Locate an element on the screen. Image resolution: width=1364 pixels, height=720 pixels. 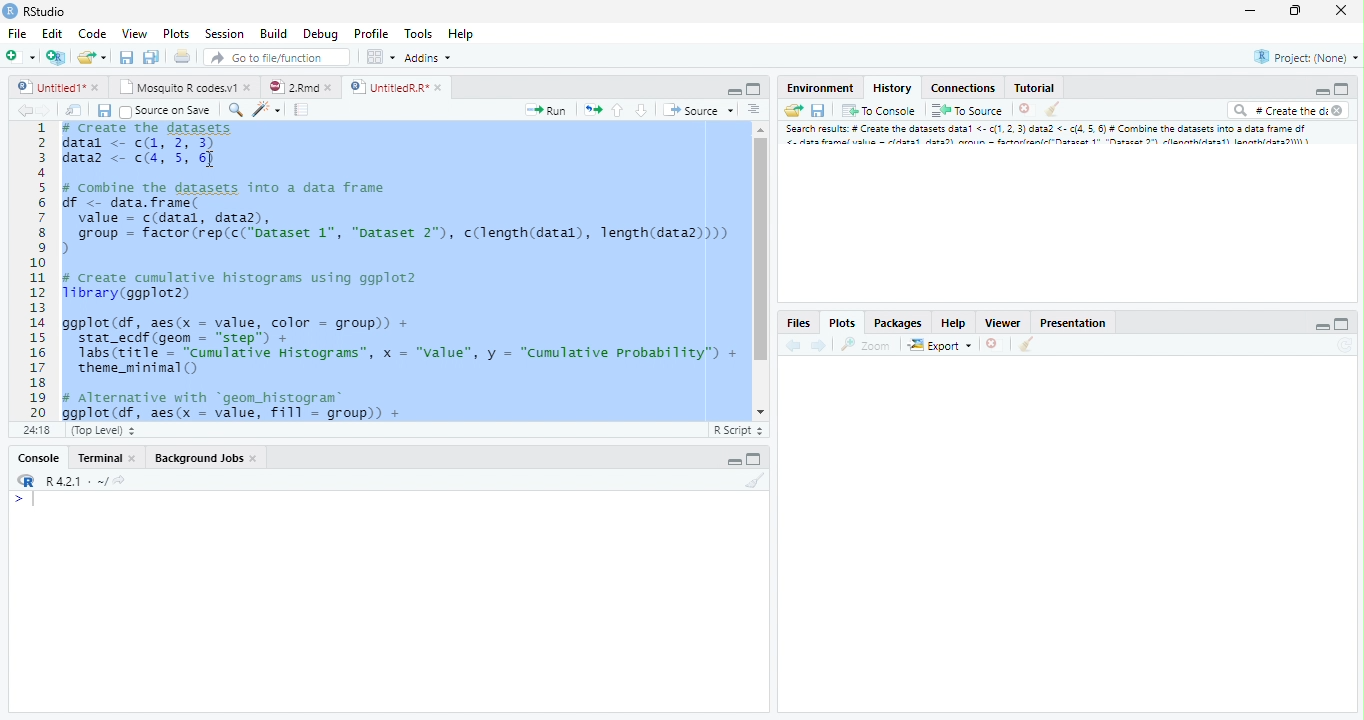
Prsentation is located at coordinates (1069, 321).